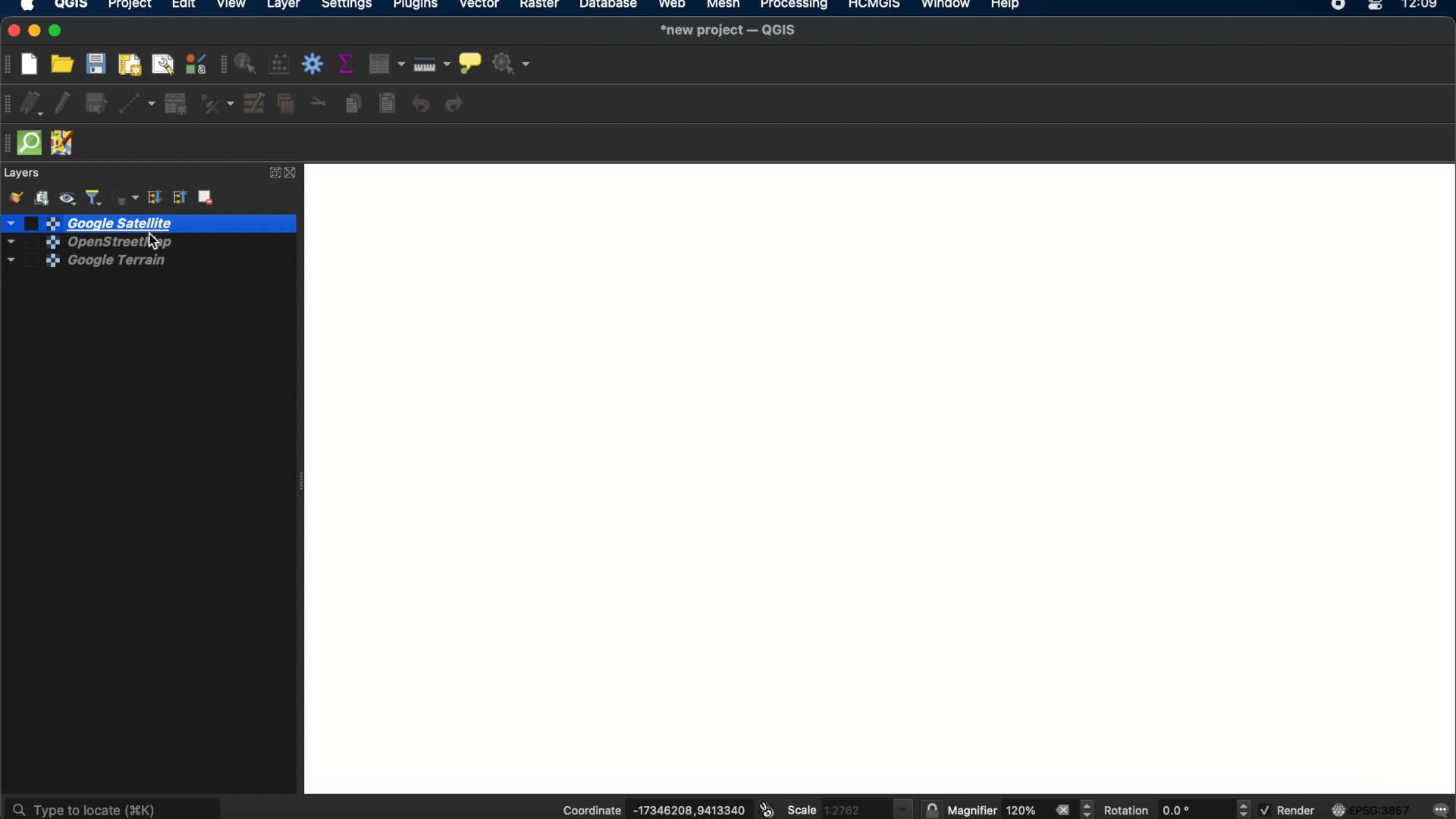 Image resolution: width=1456 pixels, height=819 pixels. What do you see at coordinates (416, 6) in the screenshot?
I see `plugins` at bounding box center [416, 6].